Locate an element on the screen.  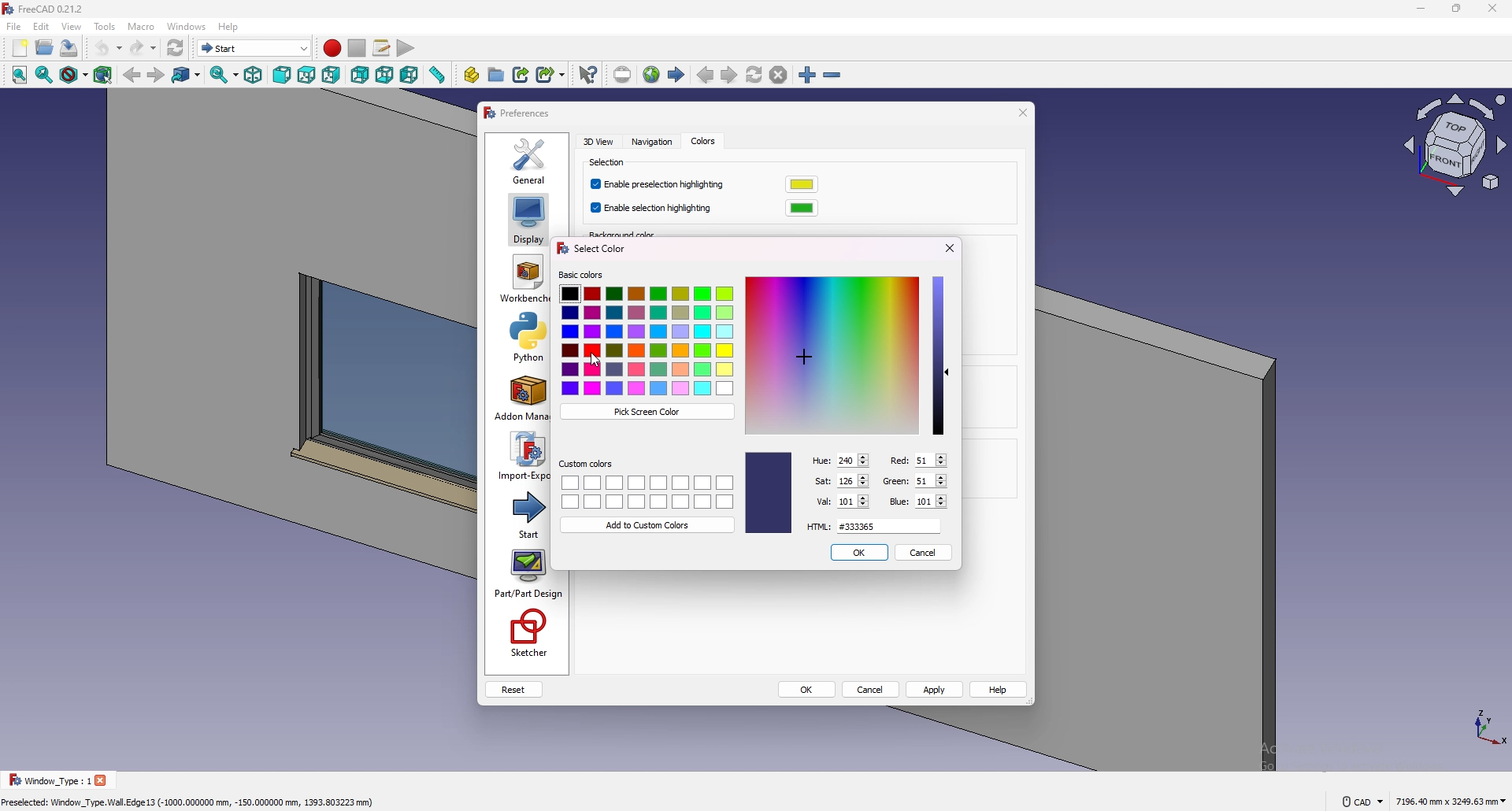
51  is located at coordinates (929, 460).